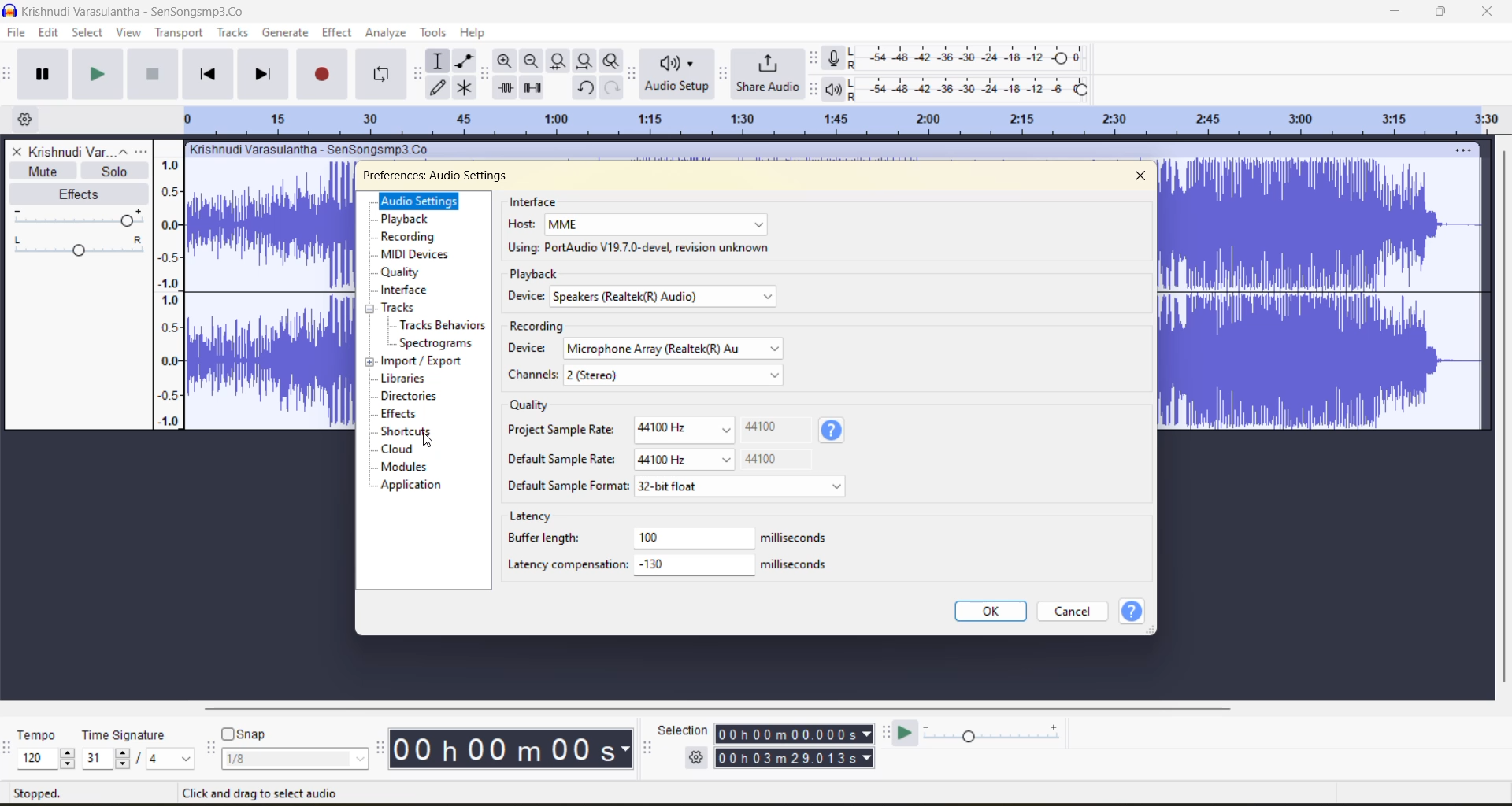  I want to click on interface, so click(537, 202).